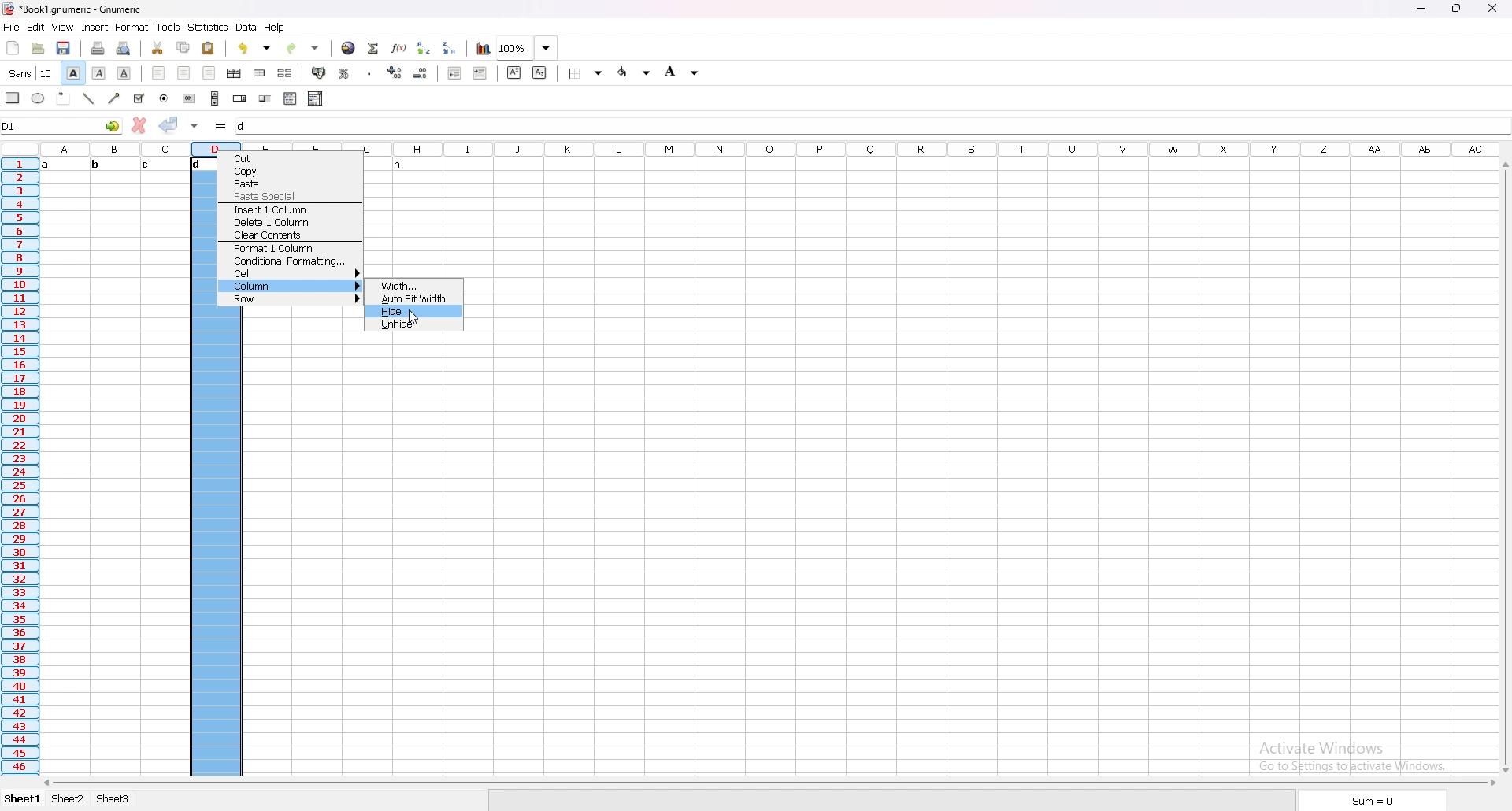 Image resolution: width=1512 pixels, height=811 pixels. What do you see at coordinates (291, 261) in the screenshot?
I see `conditional formatting` at bounding box center [291, 261].